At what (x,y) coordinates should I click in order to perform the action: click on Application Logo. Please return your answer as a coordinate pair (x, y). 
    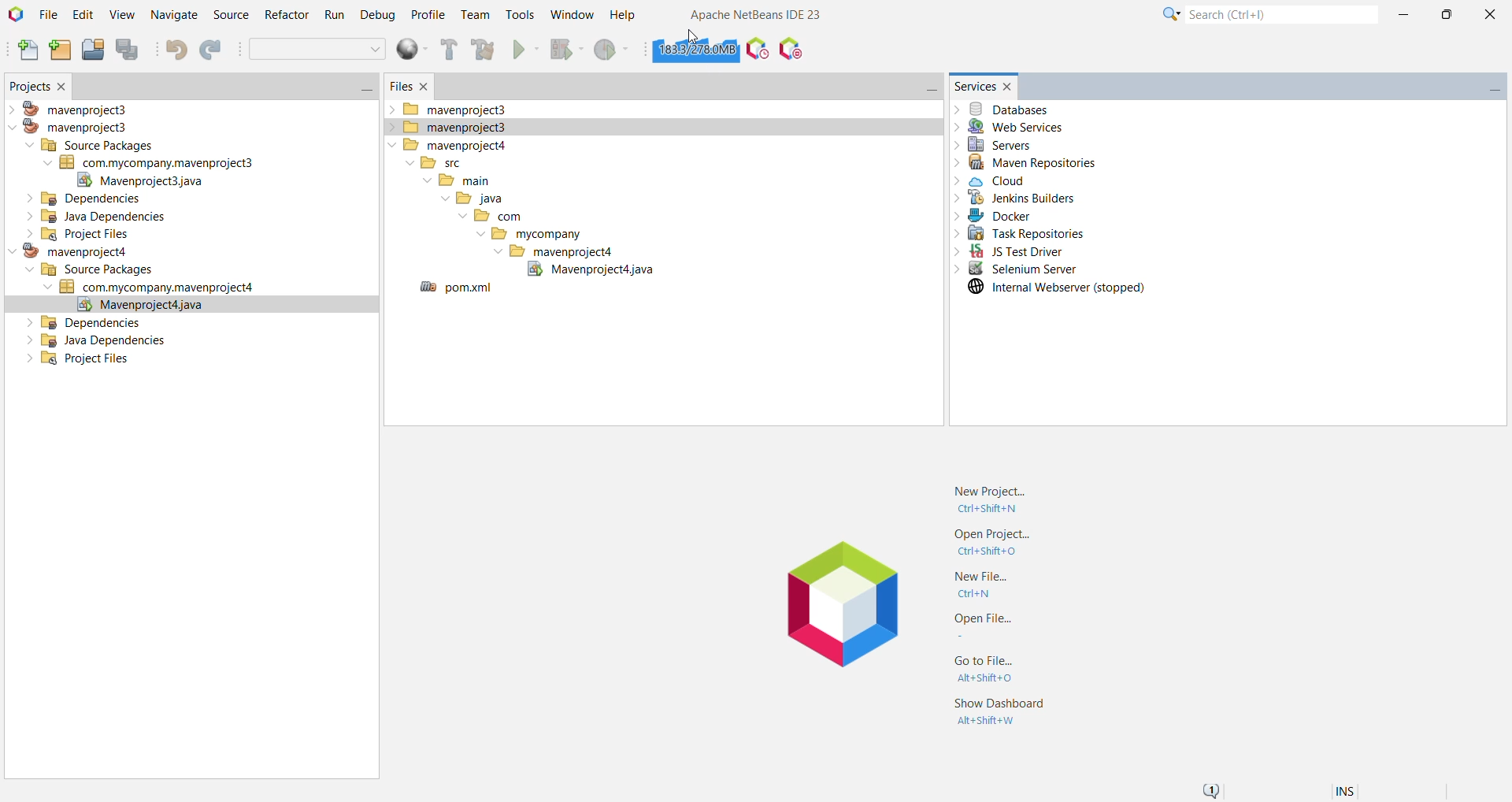
    Looking at the image, I should click on (828, 609).